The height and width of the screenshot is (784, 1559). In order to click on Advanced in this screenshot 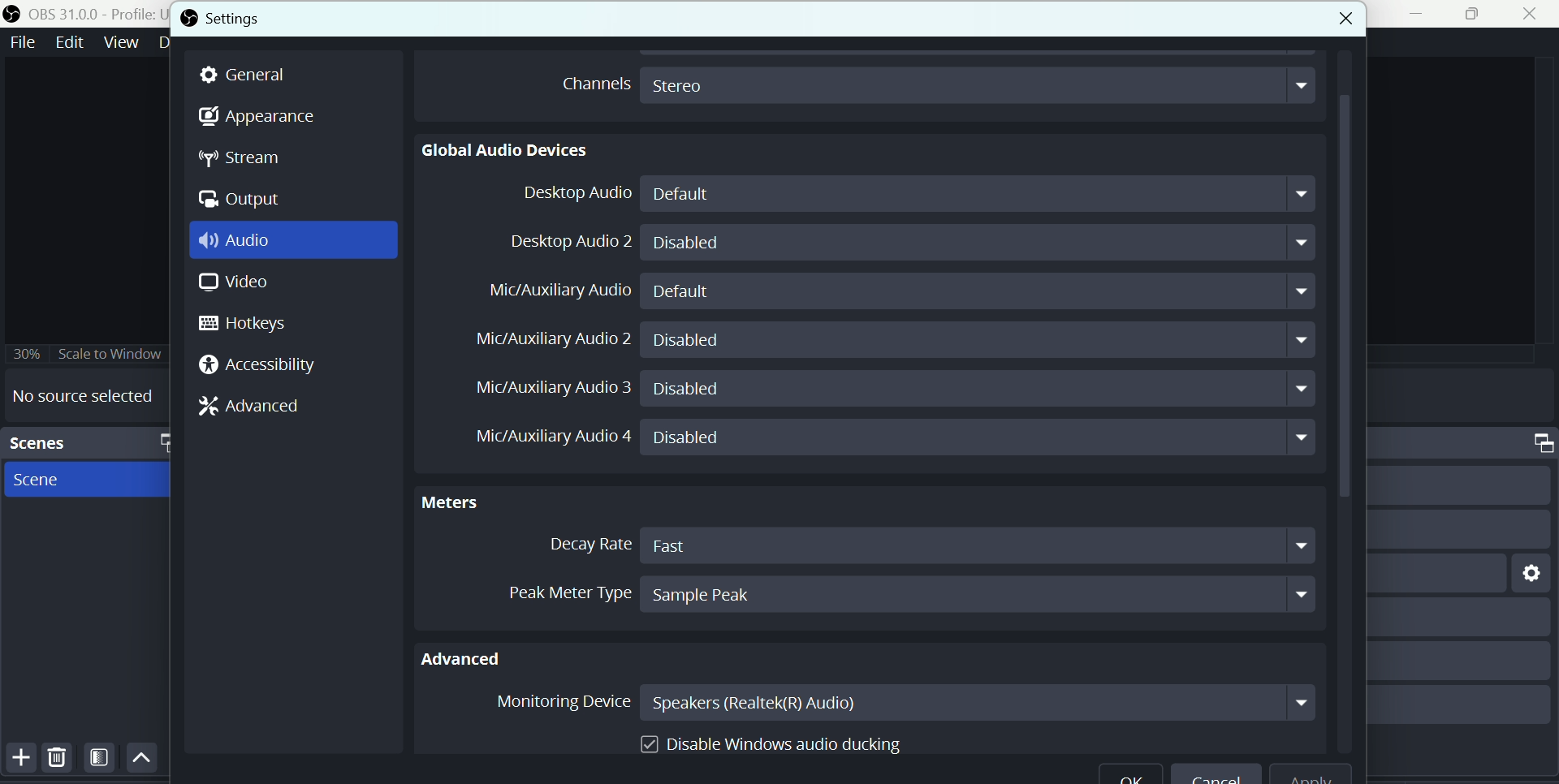, I will do `click(473, 656)`.